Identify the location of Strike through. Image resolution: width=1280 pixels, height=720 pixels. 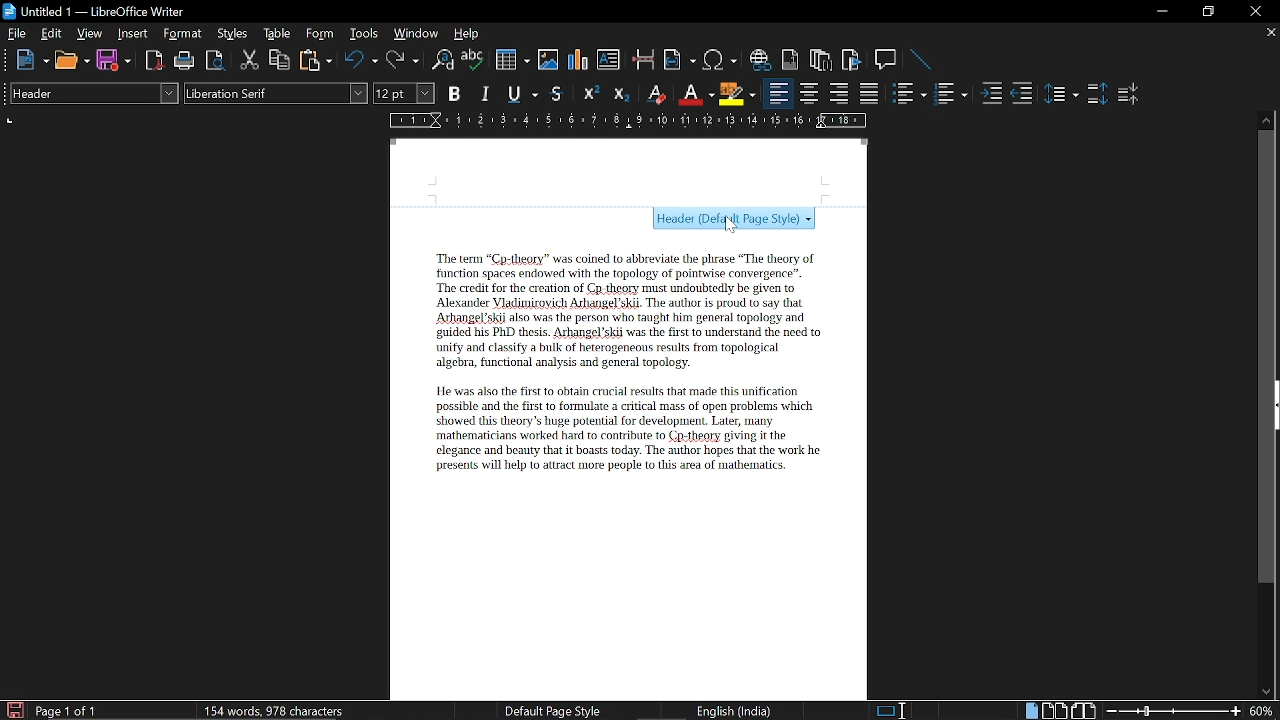
(557, 93).